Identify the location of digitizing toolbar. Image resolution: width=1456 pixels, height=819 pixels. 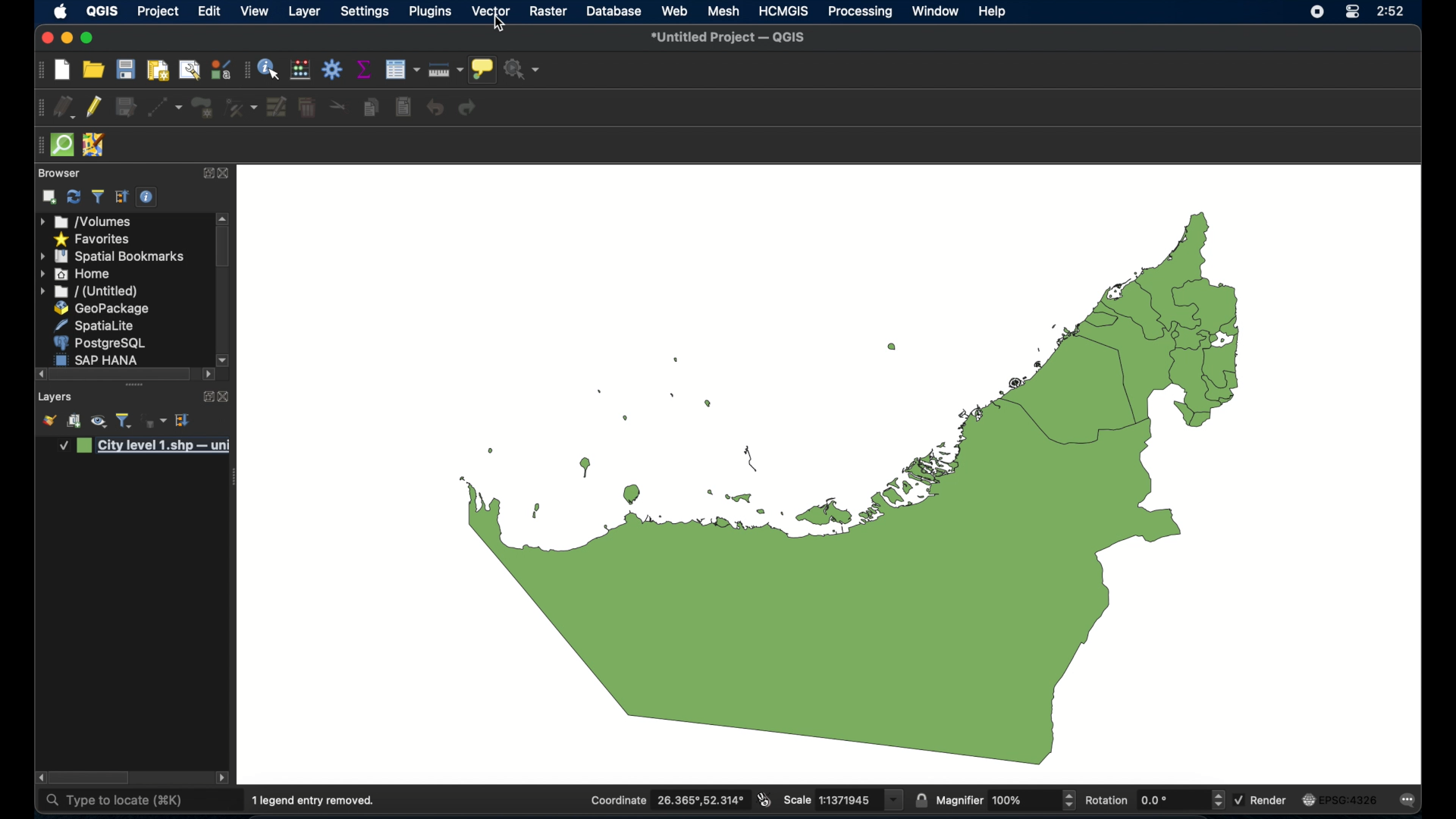
(41, 108).